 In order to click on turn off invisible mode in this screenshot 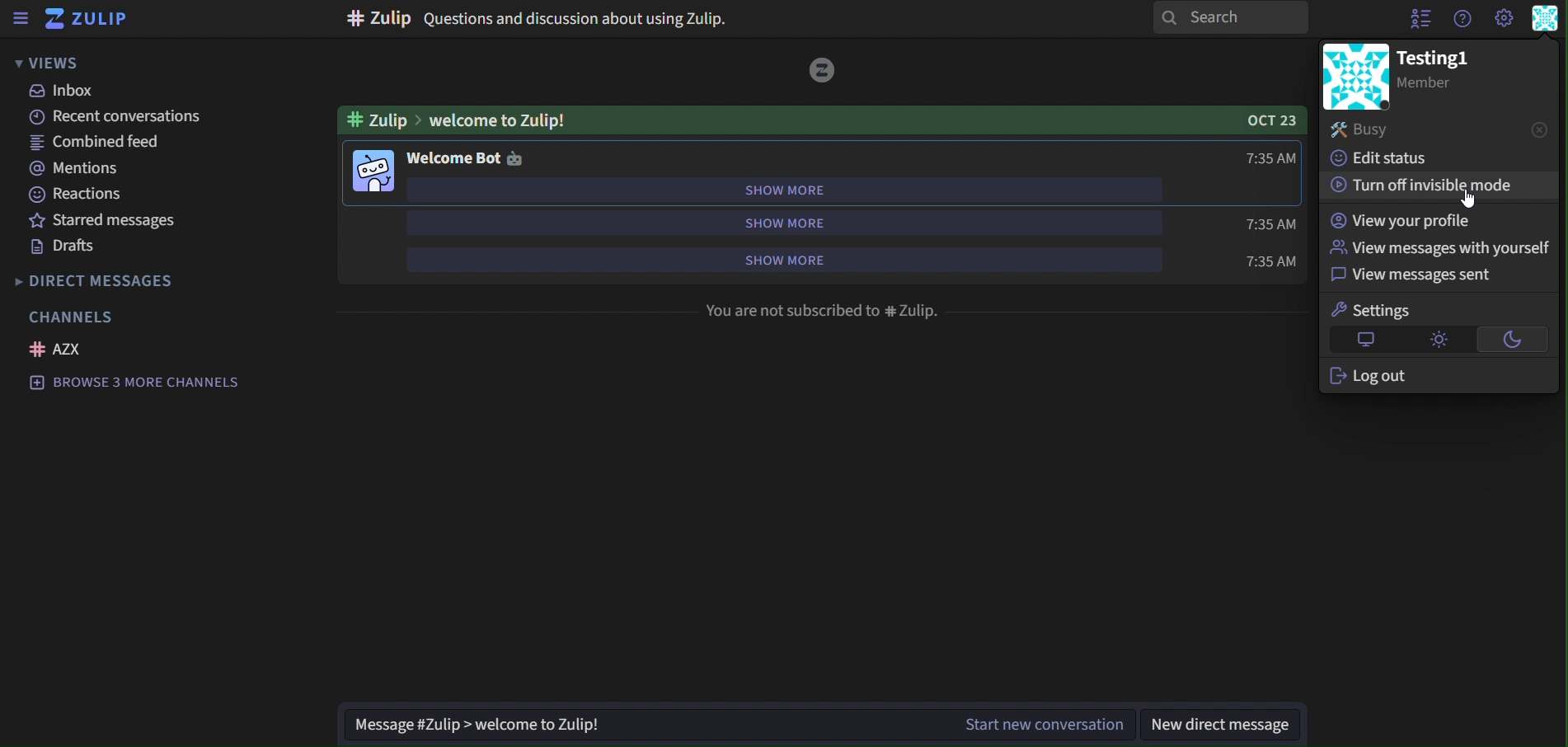, I will do `click(1432, 186)`.